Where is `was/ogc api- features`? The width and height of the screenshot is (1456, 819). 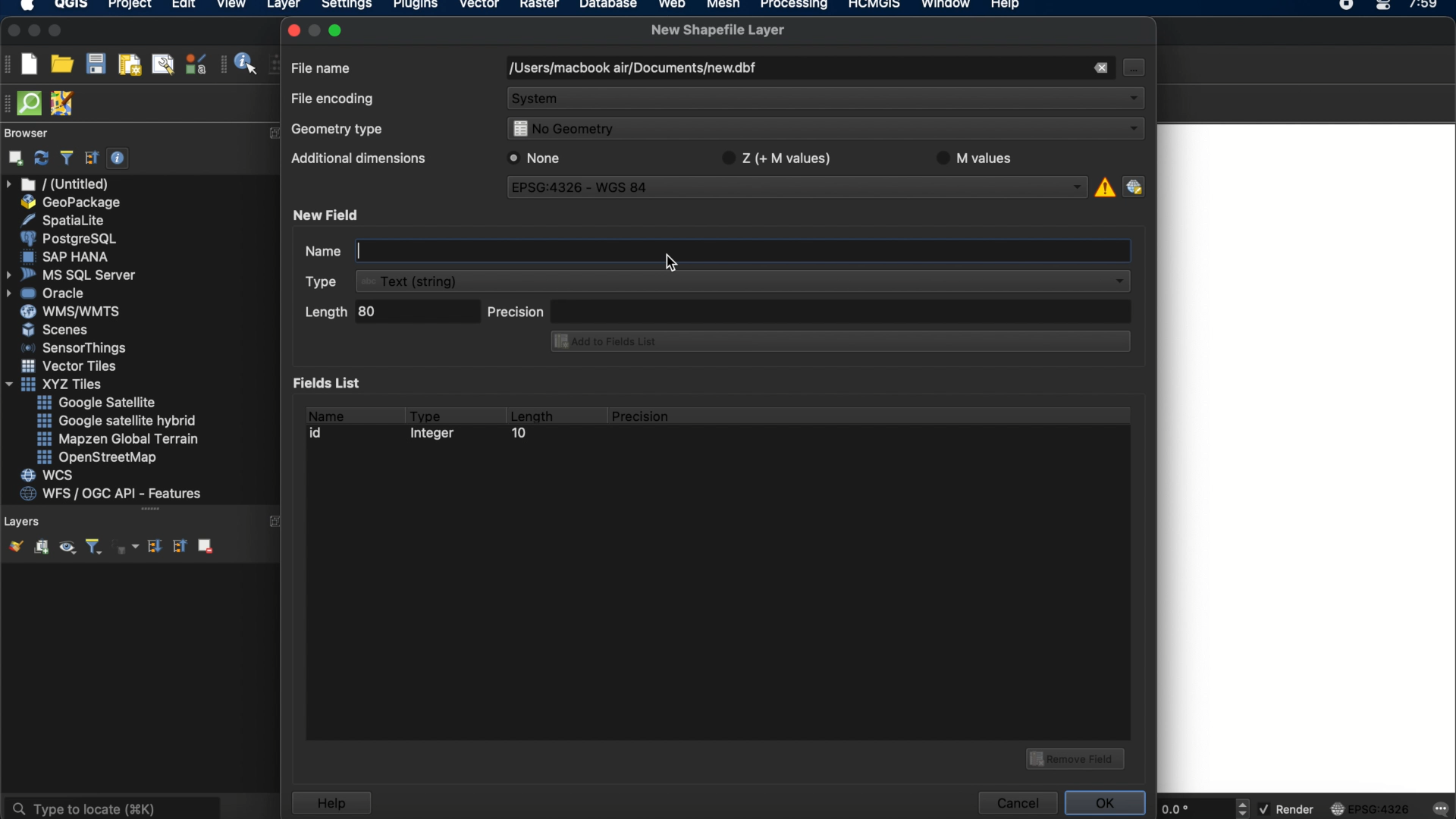 was/ogc api- features is located at coordinates (111, 494).